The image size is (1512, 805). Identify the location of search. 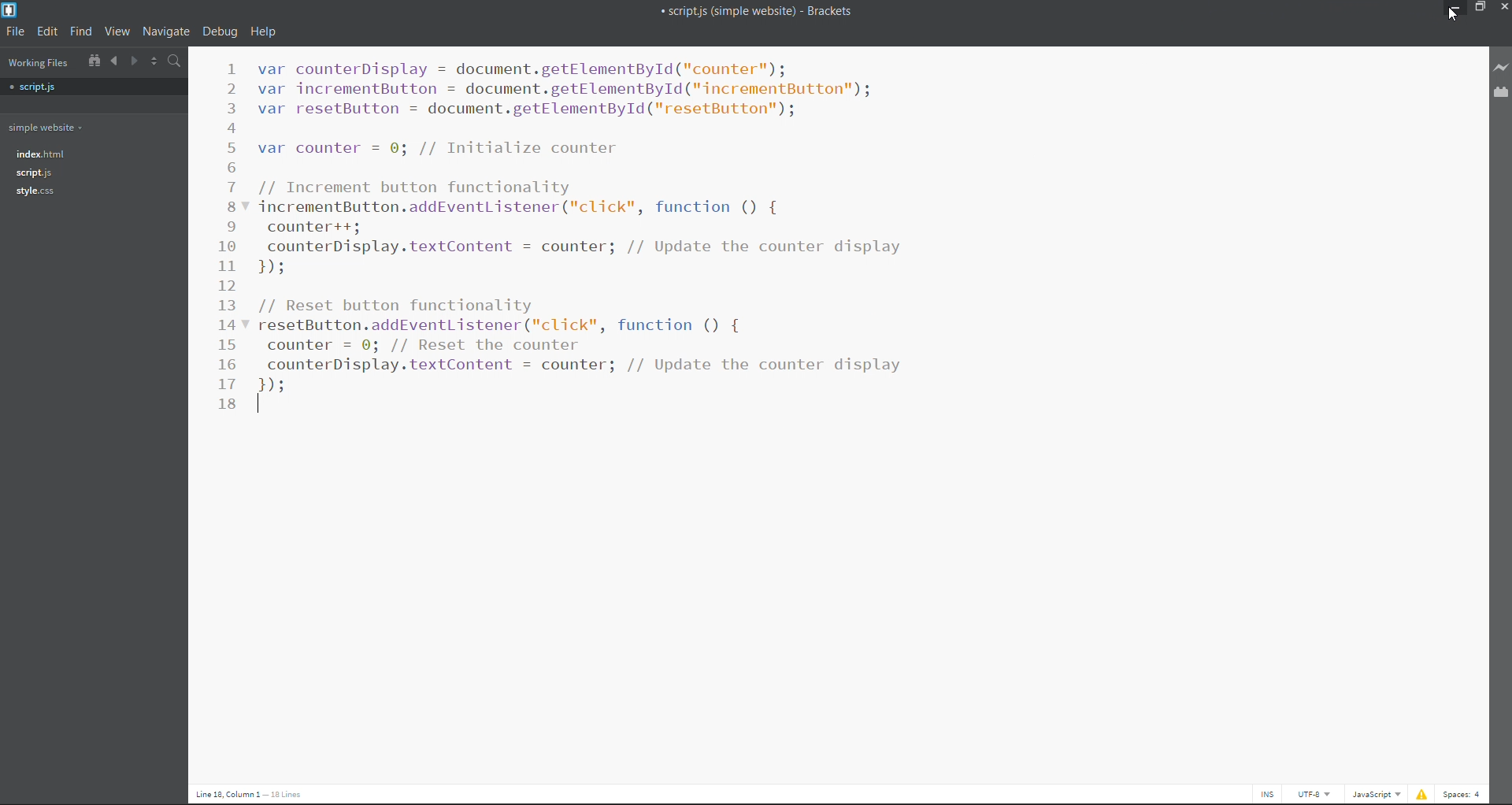
(176, 61).